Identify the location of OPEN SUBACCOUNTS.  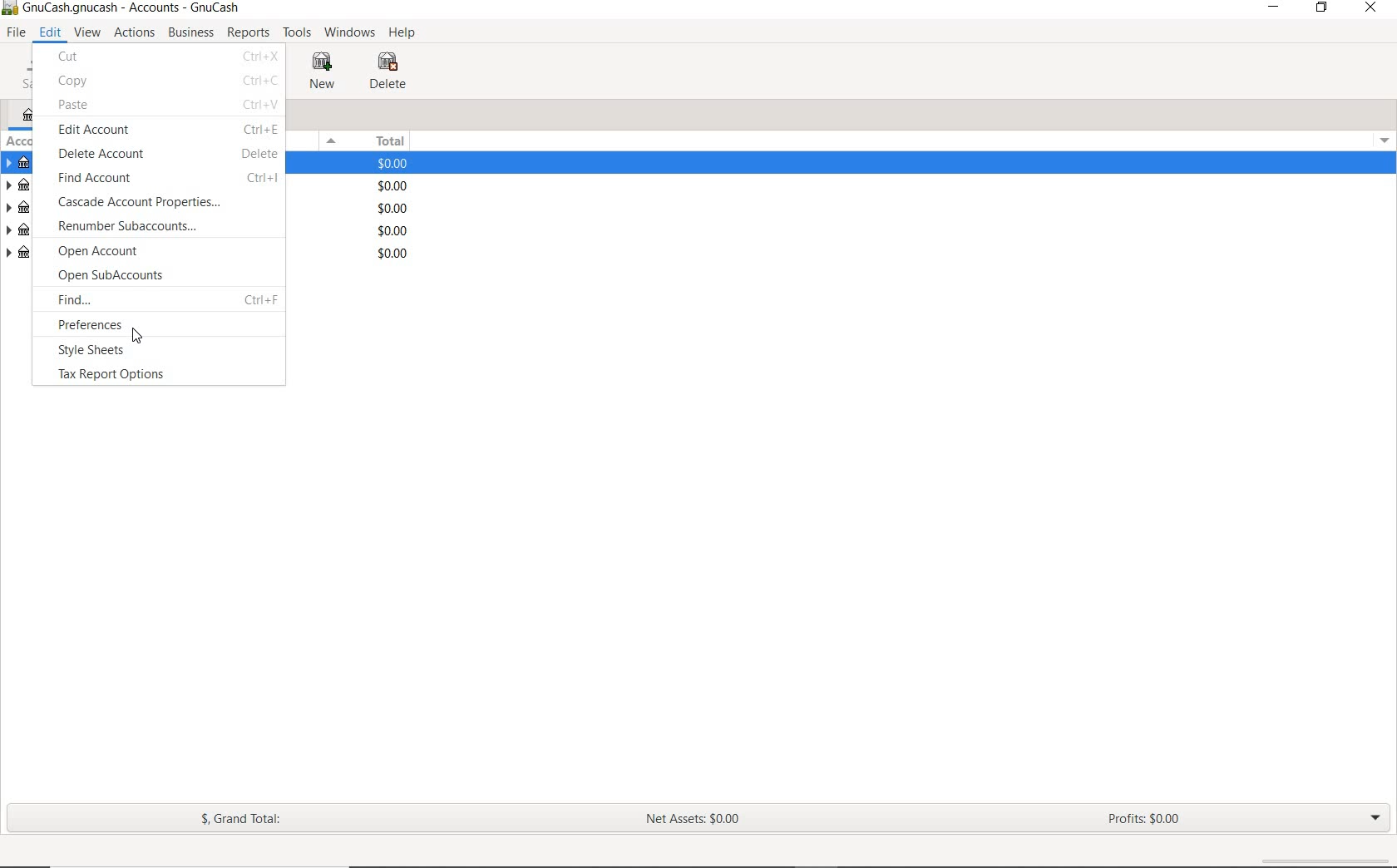
(152, 277).